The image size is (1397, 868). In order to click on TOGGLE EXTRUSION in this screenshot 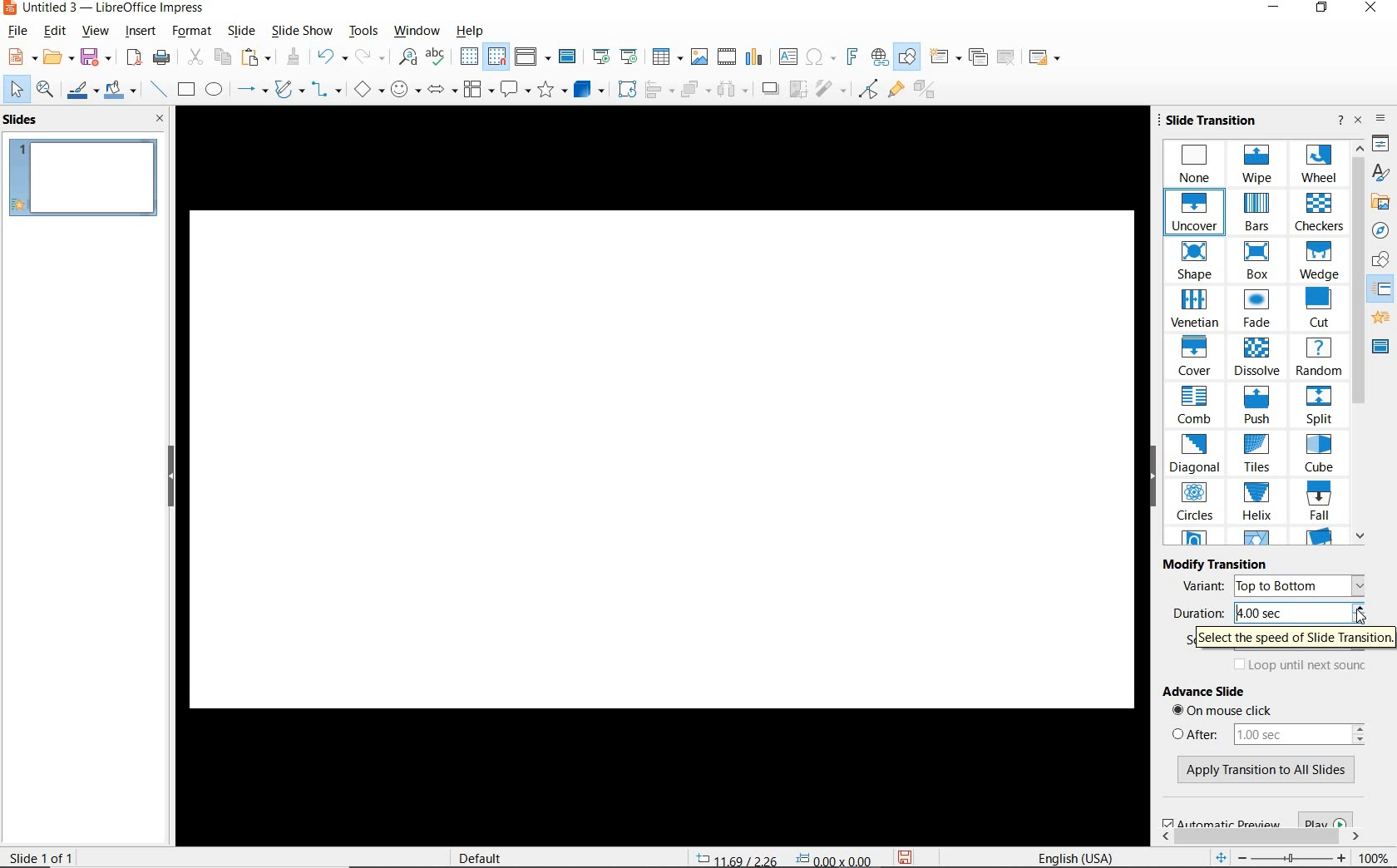, I will do `click(928, 91)`.